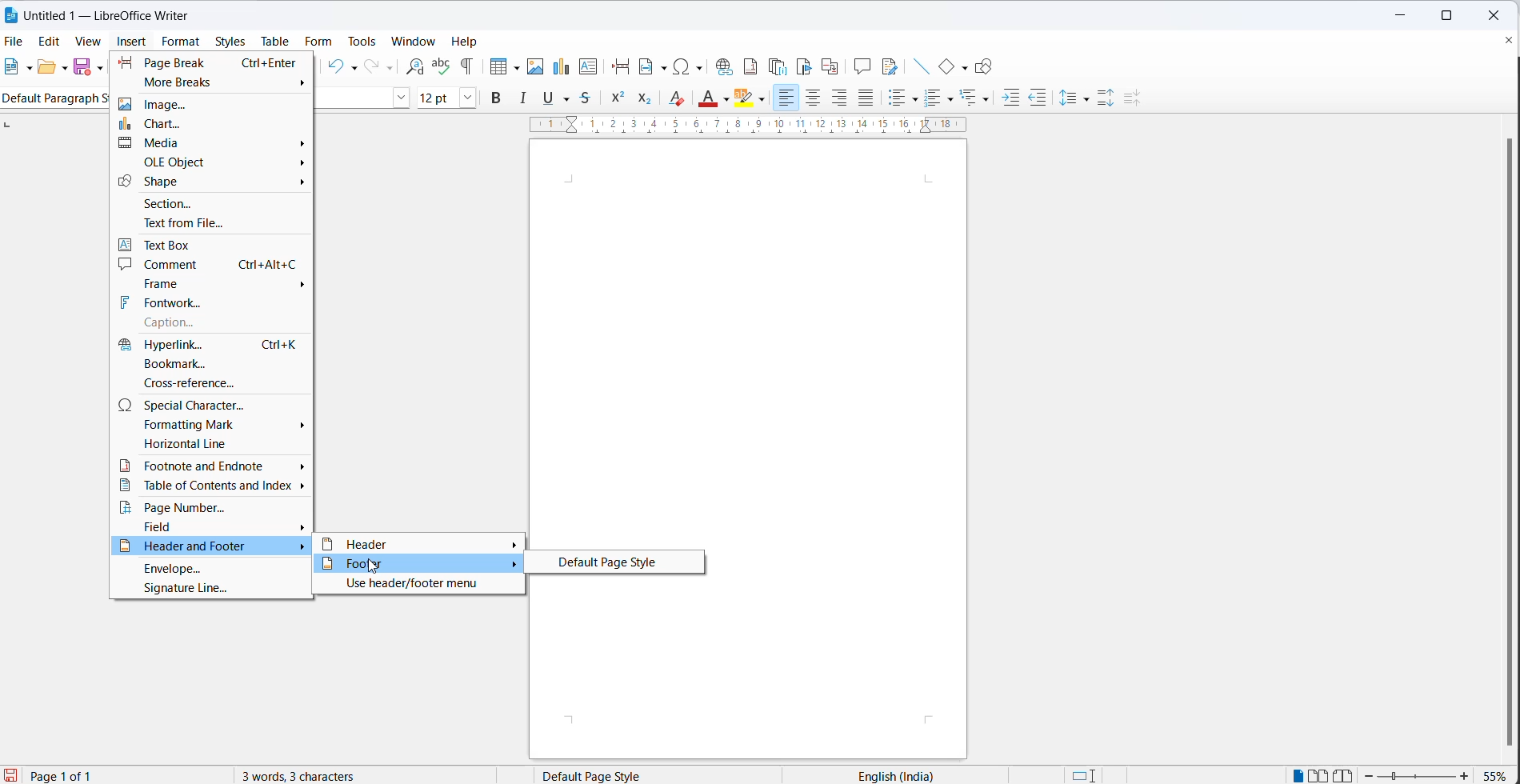  What do you see at coordinates (388, 67) in the screenshot?
I see `redo options` at bounding box center [388, 67].